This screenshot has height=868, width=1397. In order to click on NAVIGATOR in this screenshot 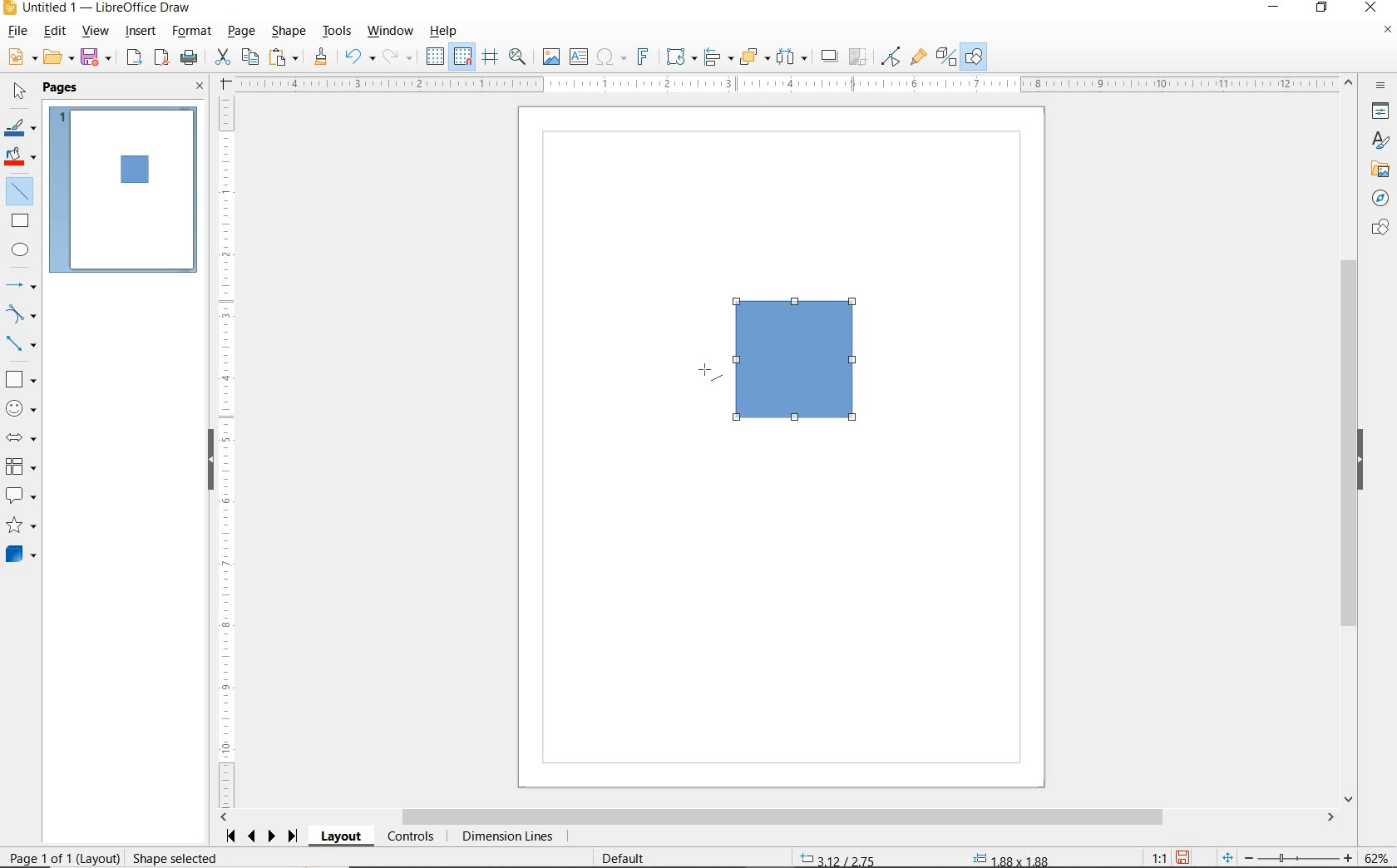, I will do `click(1380, 196)`.